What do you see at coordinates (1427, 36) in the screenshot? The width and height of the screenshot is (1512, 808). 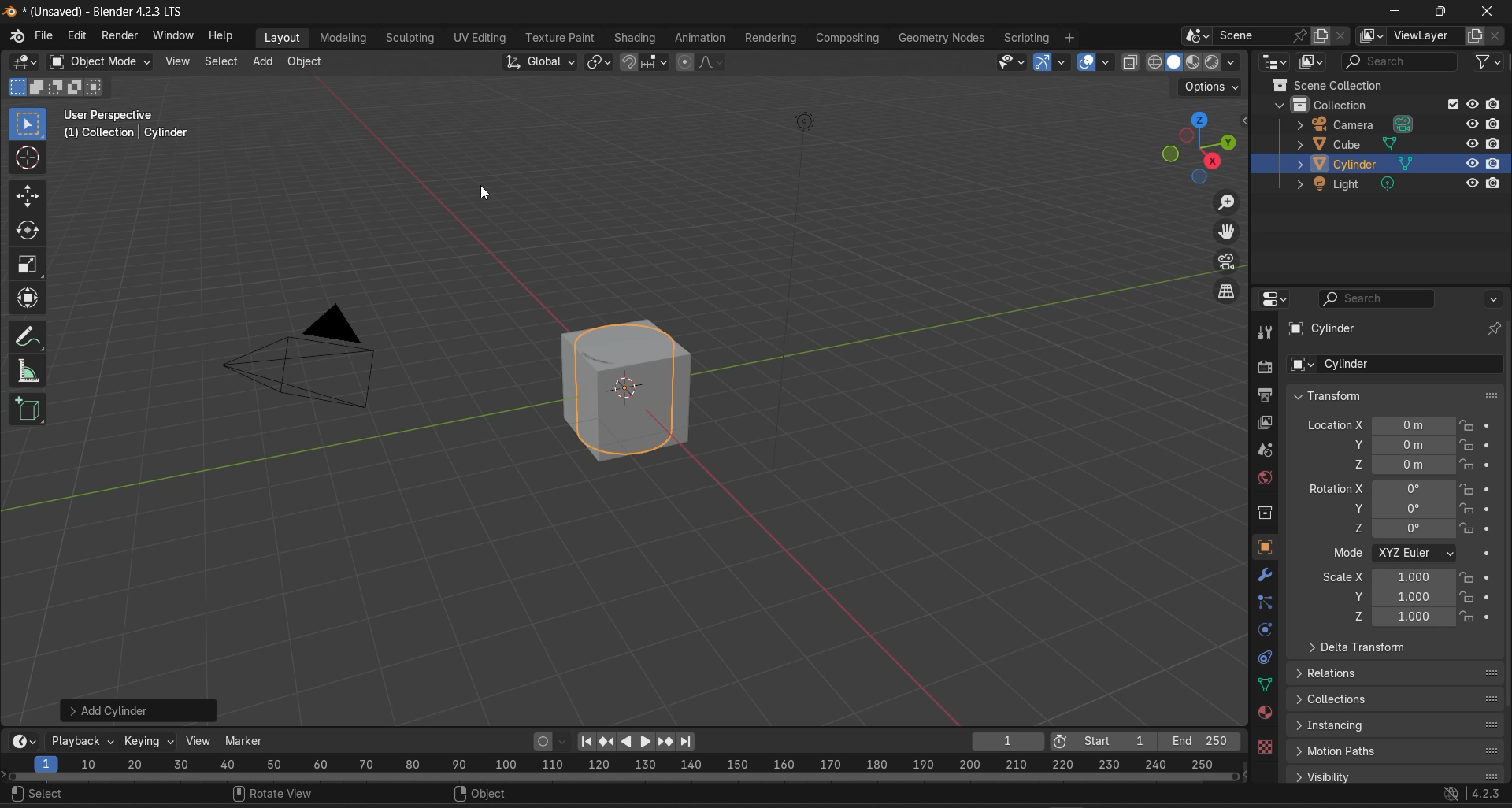 I see `view layer name` at bounding box center [1427, 36].